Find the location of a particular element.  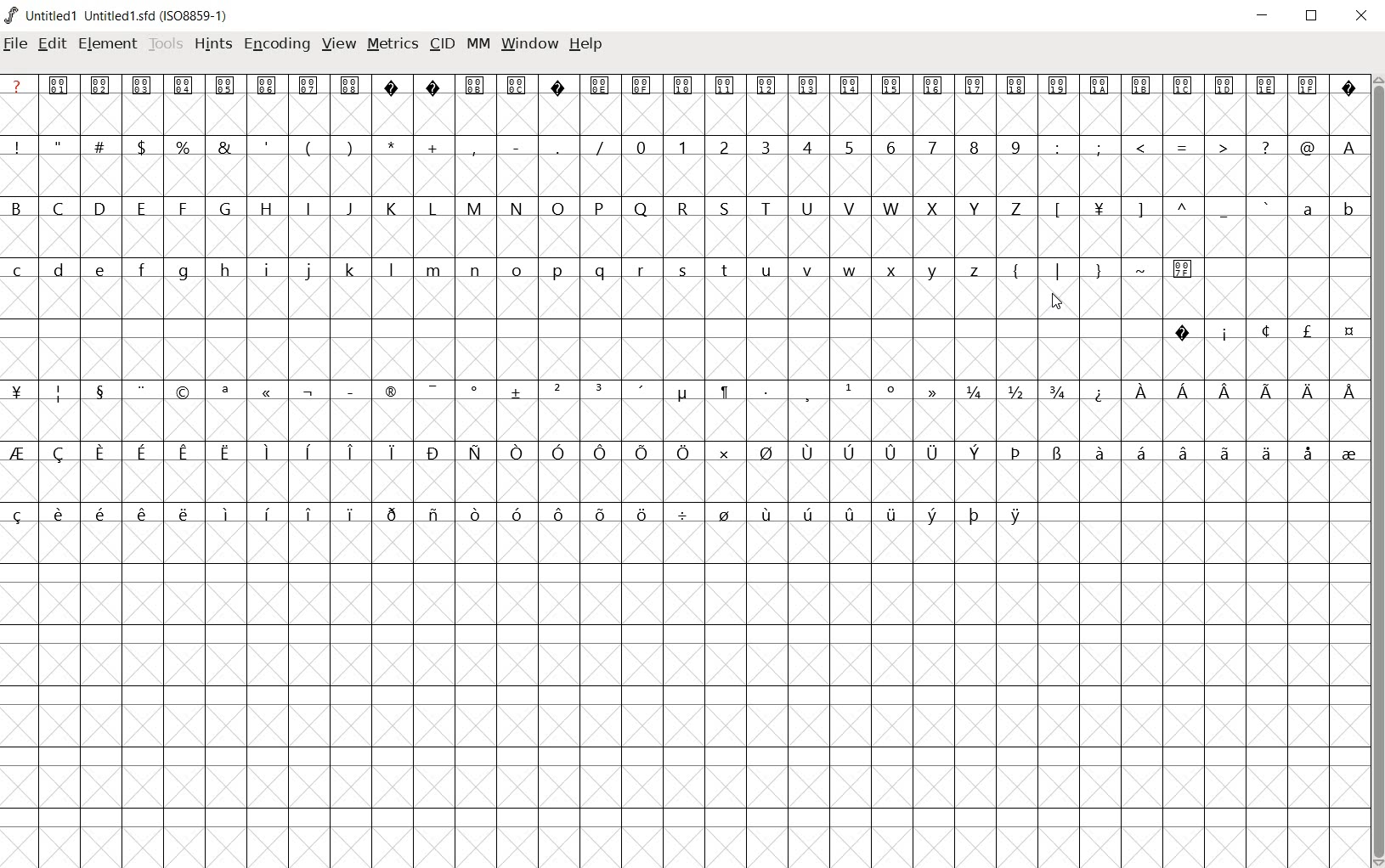

edit is located at coordinates (51, 43).